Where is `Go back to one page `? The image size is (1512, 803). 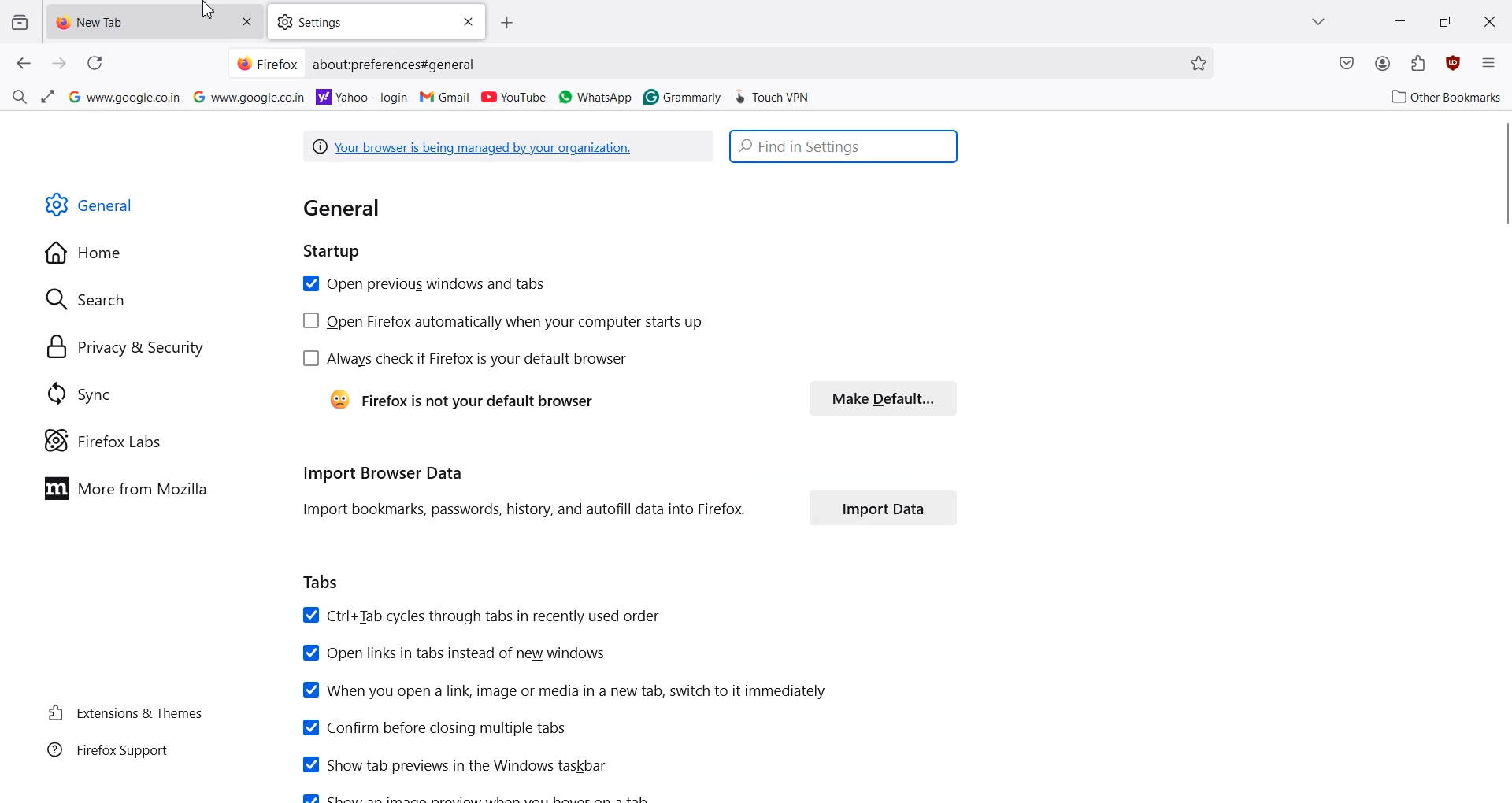 Go back to one page  is located at coordinates (24, 64).